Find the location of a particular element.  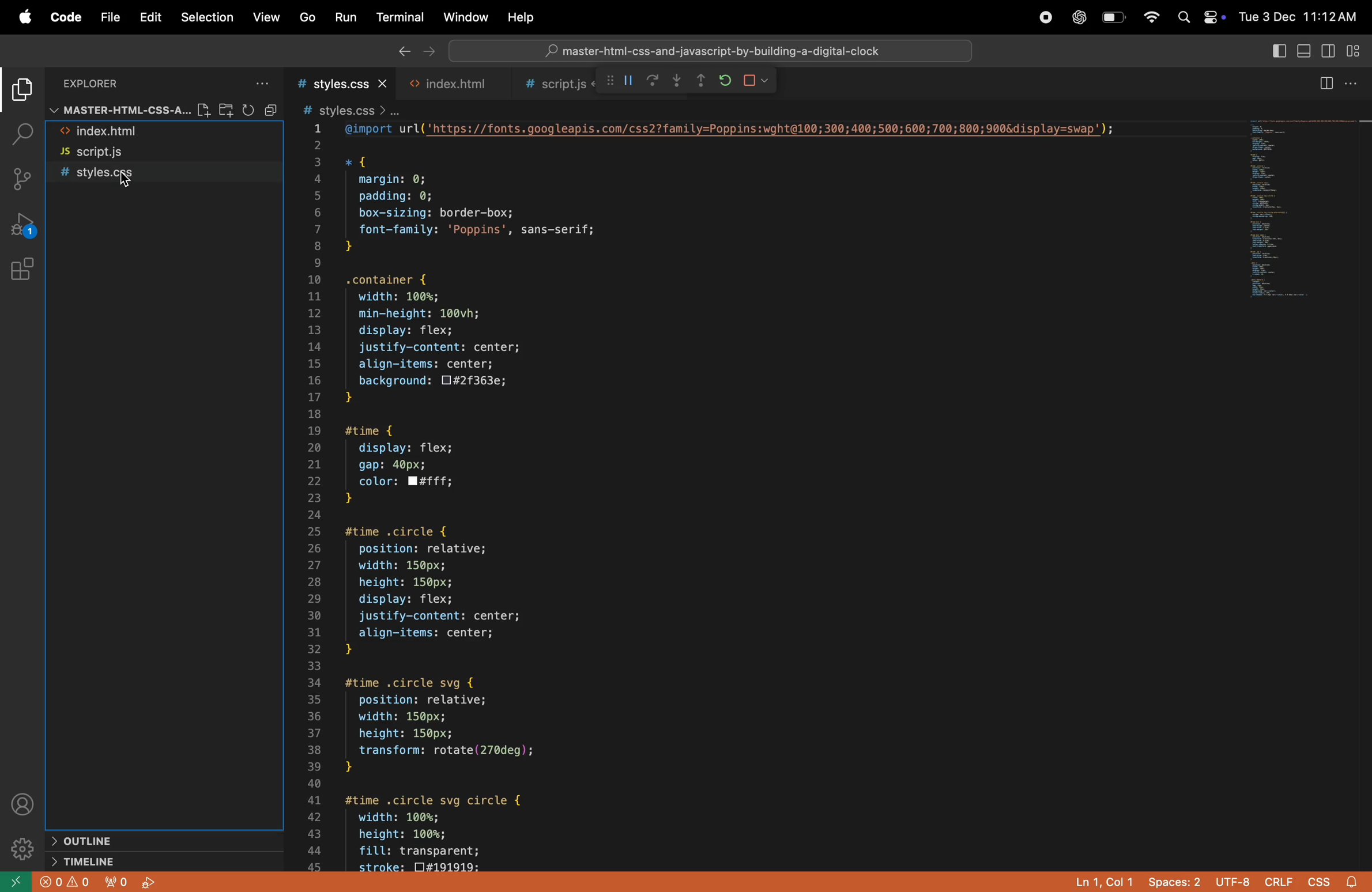

open remote window is located at coordinates (14, 881).